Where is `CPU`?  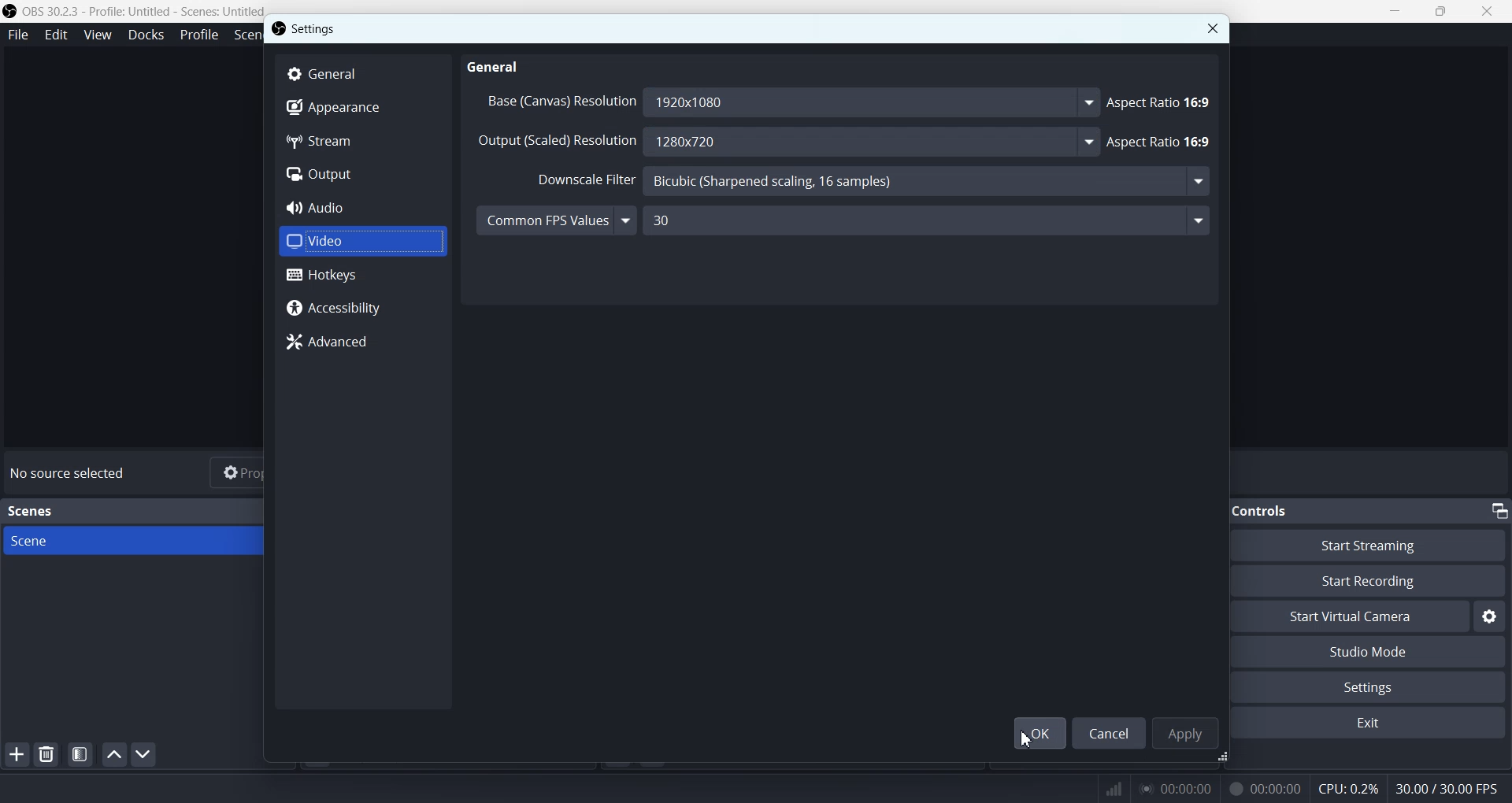 CPU is located at coordinates (1349, 790).